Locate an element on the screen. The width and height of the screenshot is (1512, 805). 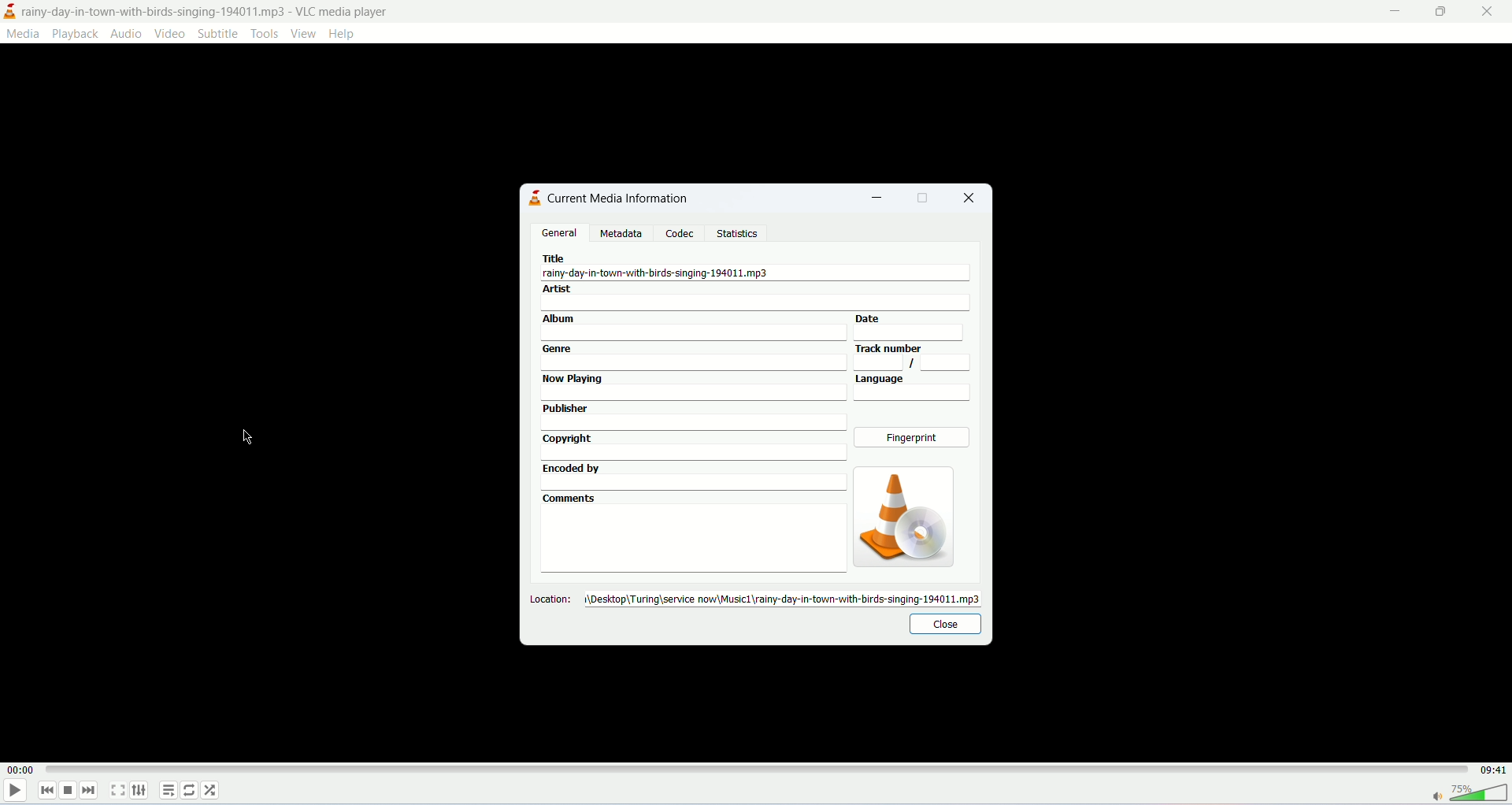
close is located at coordinates (973, 198).